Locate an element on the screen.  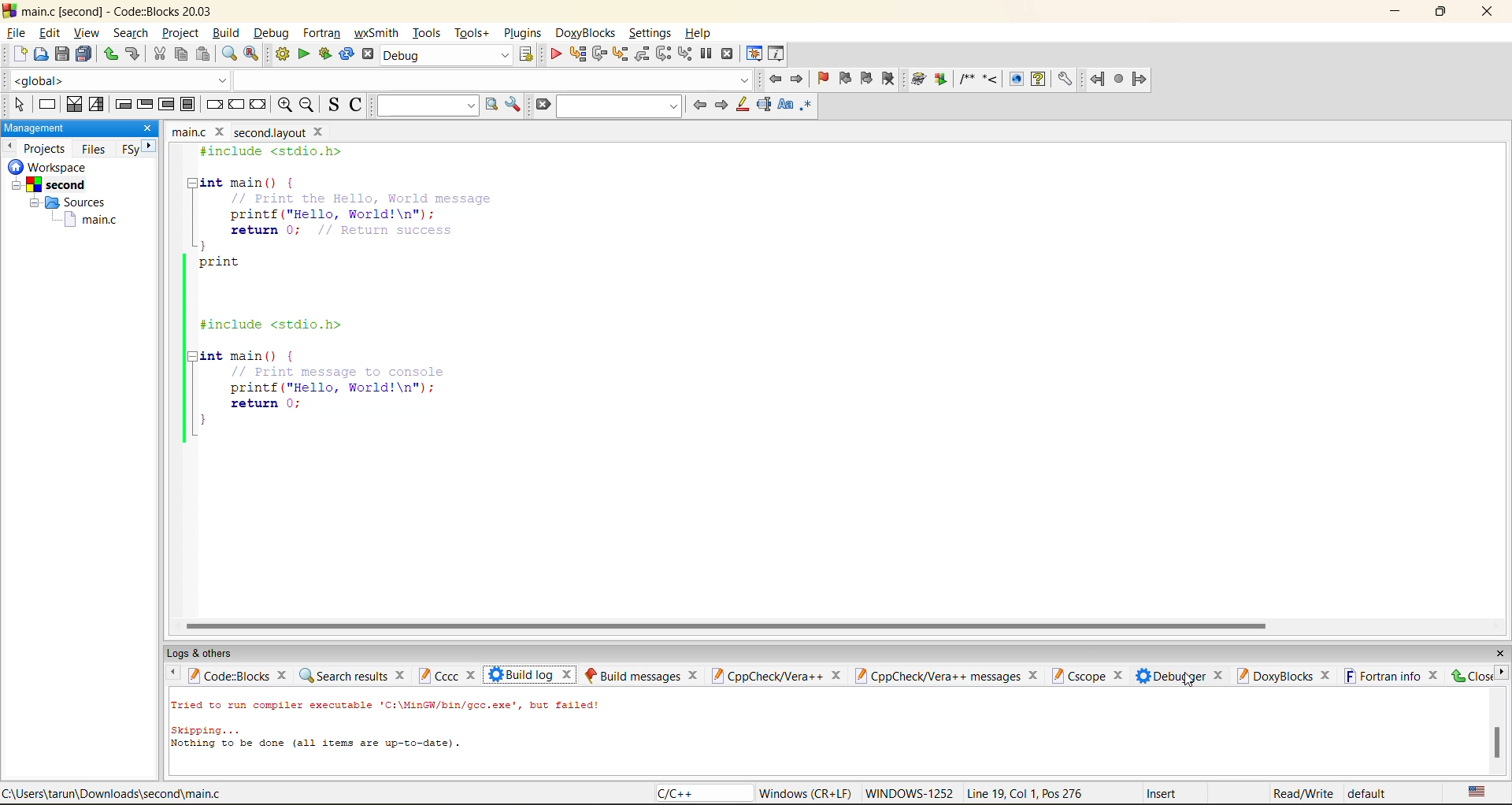
jump forward is located at coordinates (798, 78).